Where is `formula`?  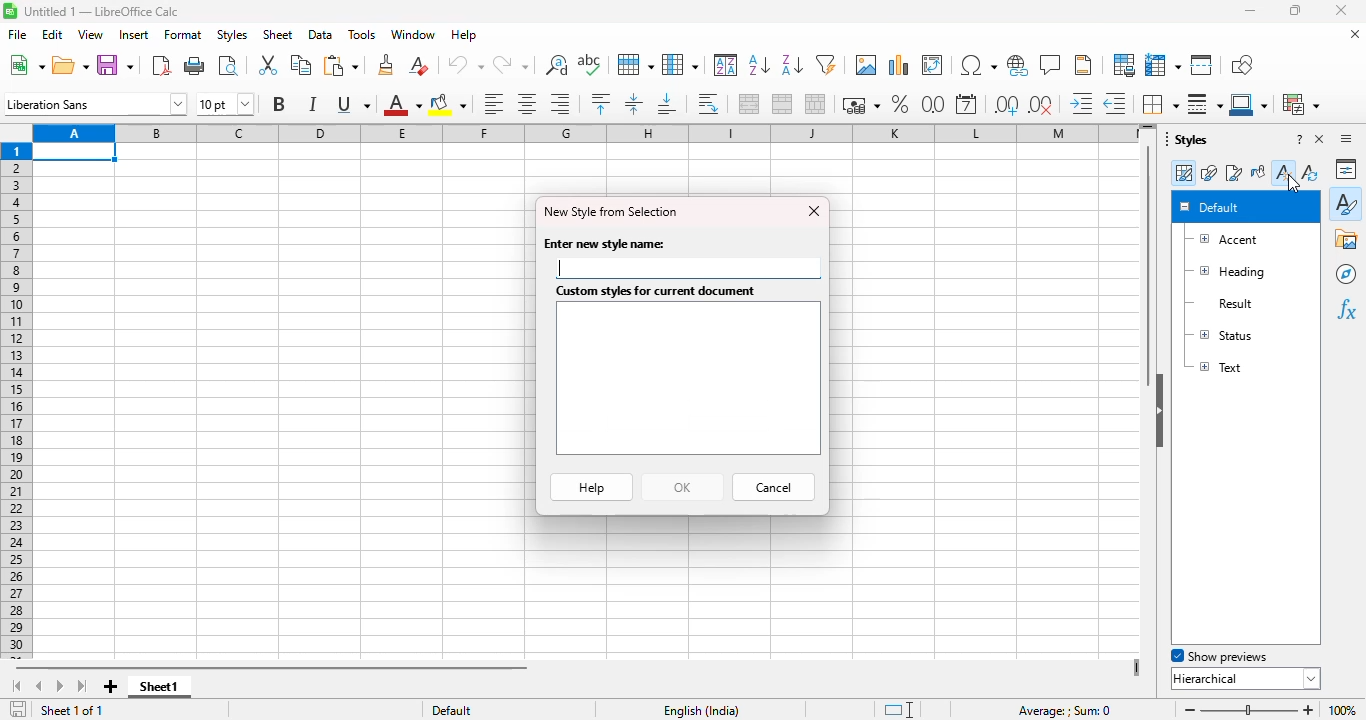 formula is located at coordinates (1065, 711).